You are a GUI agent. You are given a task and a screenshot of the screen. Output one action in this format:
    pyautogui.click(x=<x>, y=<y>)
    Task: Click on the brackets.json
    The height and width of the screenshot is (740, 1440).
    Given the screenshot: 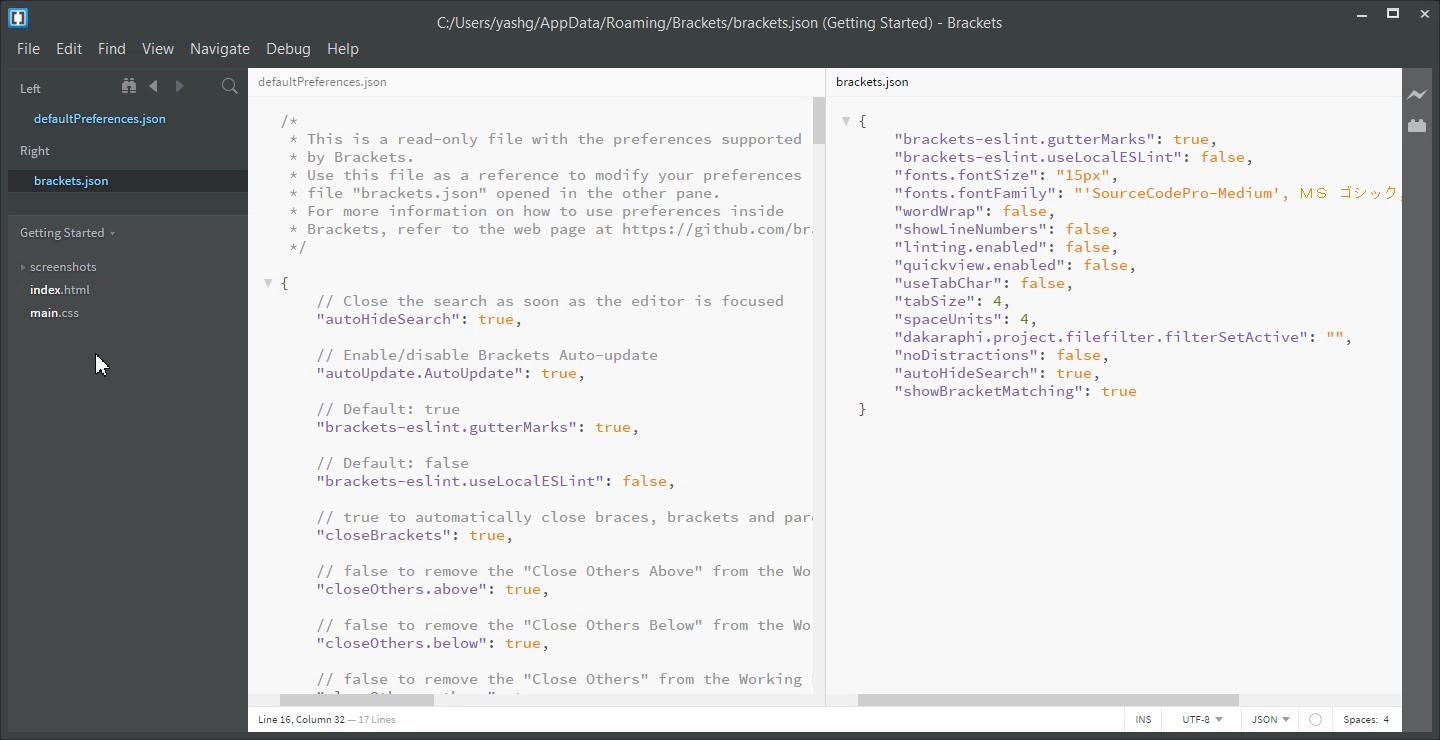 What is the action you would take?
    pyautogui.click(x=125, y=180)
    